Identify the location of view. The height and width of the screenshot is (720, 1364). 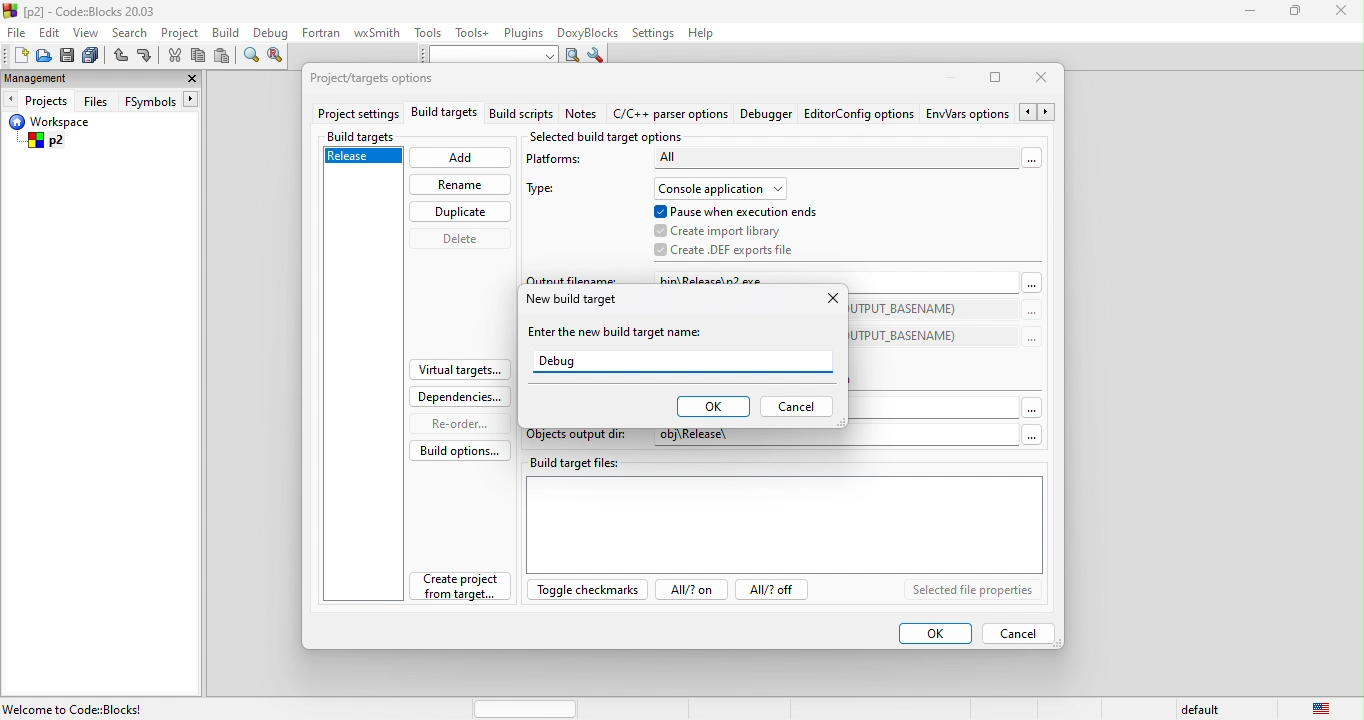
(87, 32).